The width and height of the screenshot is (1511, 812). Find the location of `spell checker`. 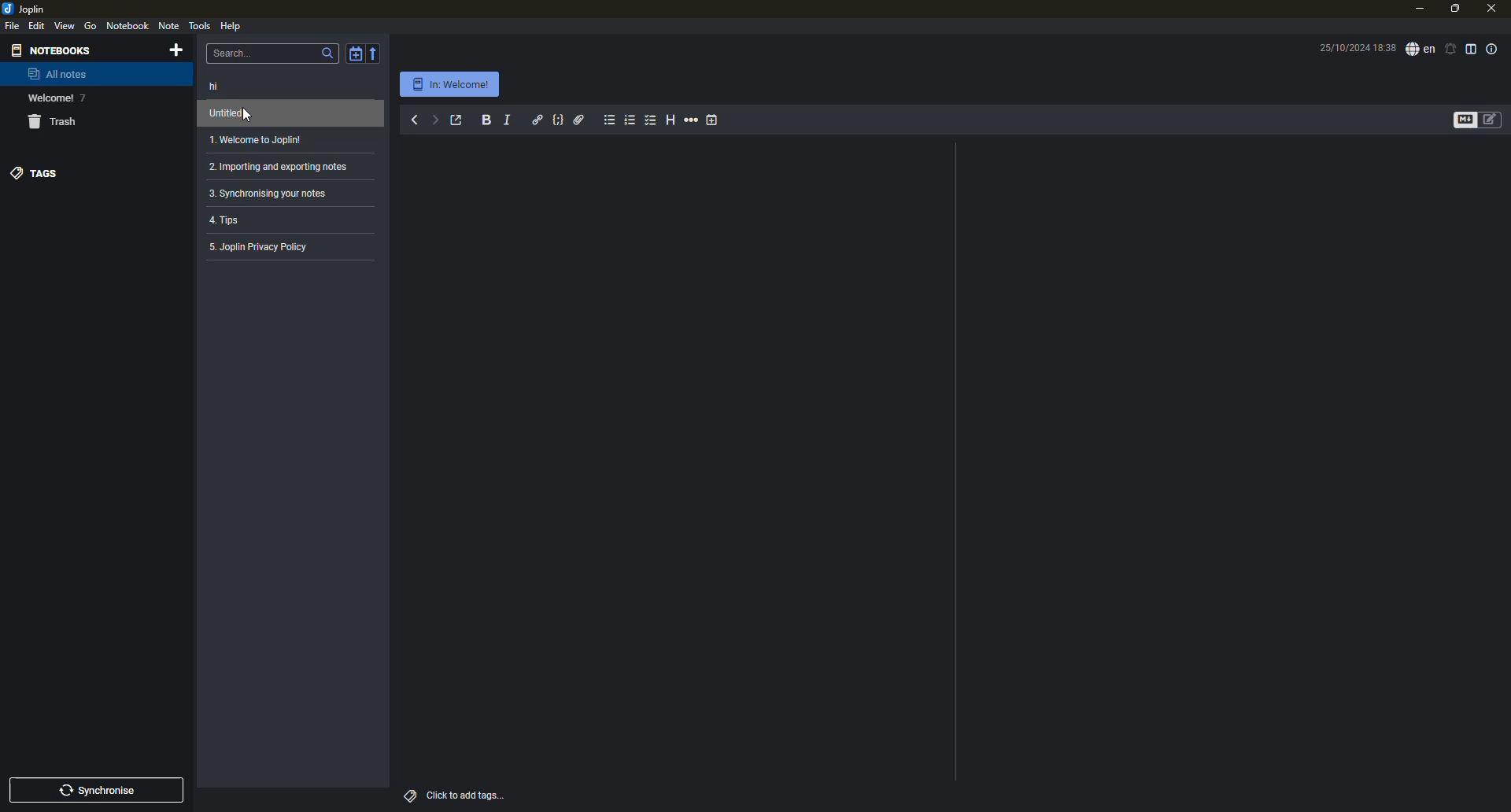

spell checker is located at coordinates (1420, 50).